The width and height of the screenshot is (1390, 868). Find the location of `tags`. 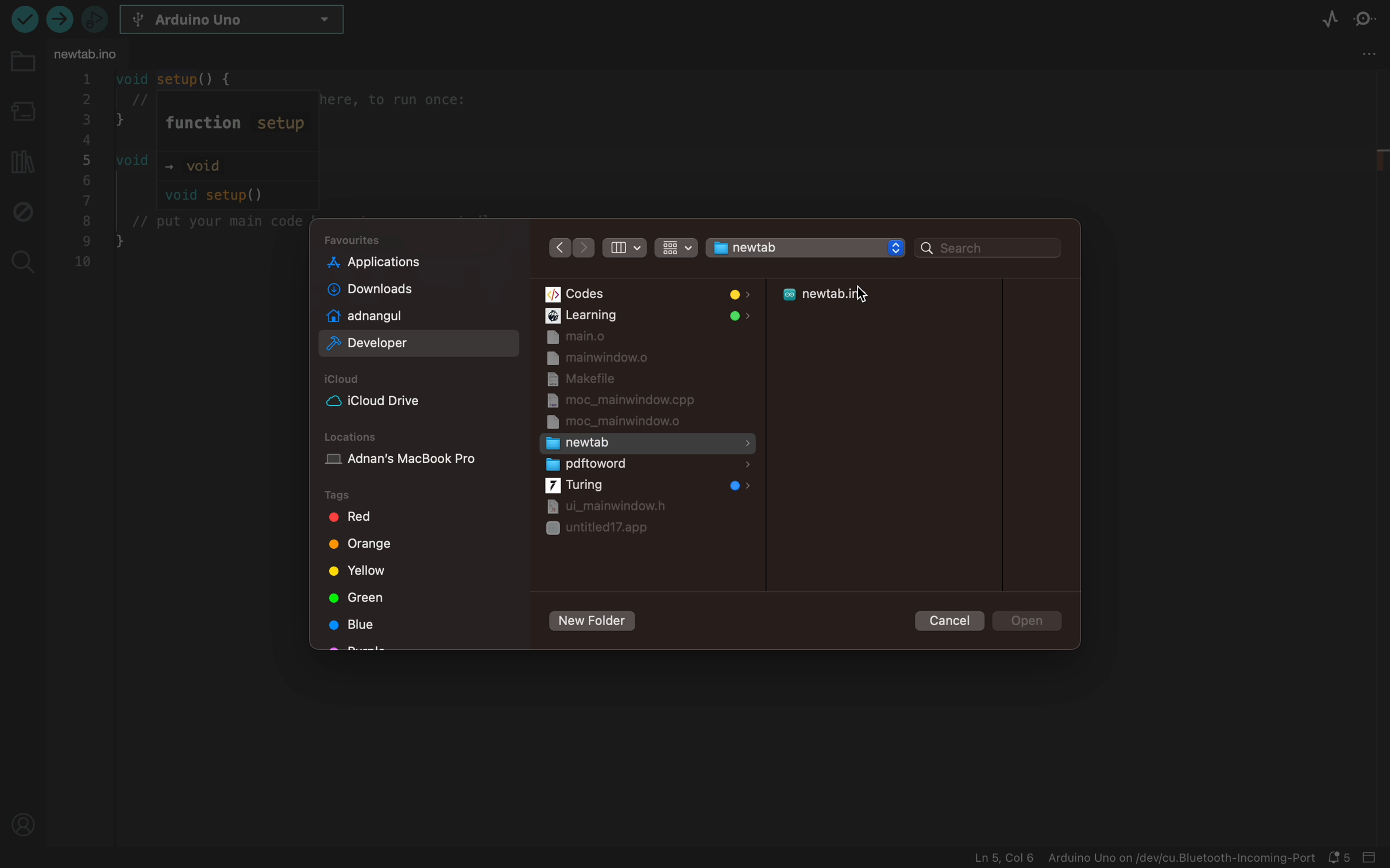

tags is located at coordinates (364, 547).